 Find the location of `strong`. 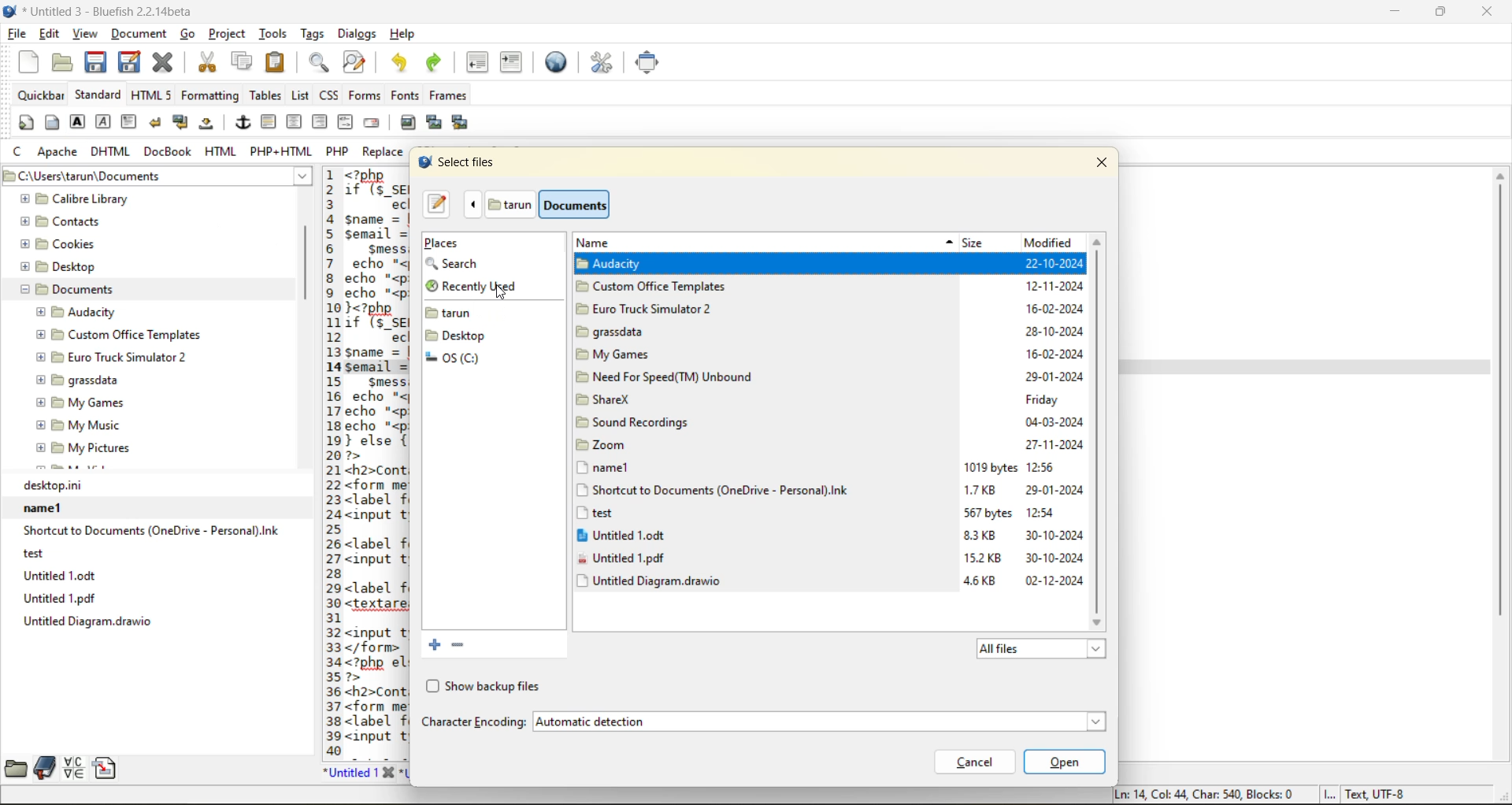

strong is located at coordinates (78, 124).